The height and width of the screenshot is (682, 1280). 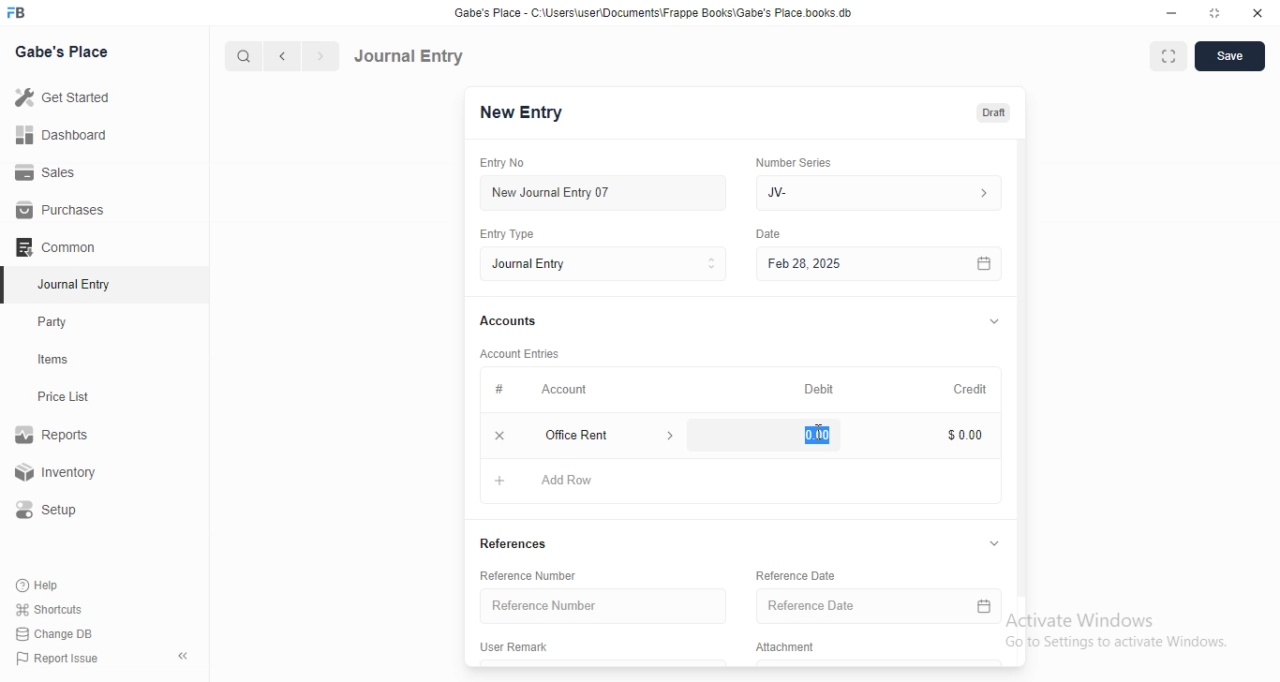 What do you see at coordinates (796, 578) in the screenshot?
I see `‘Reference Date` at bounding box center [796, 578].